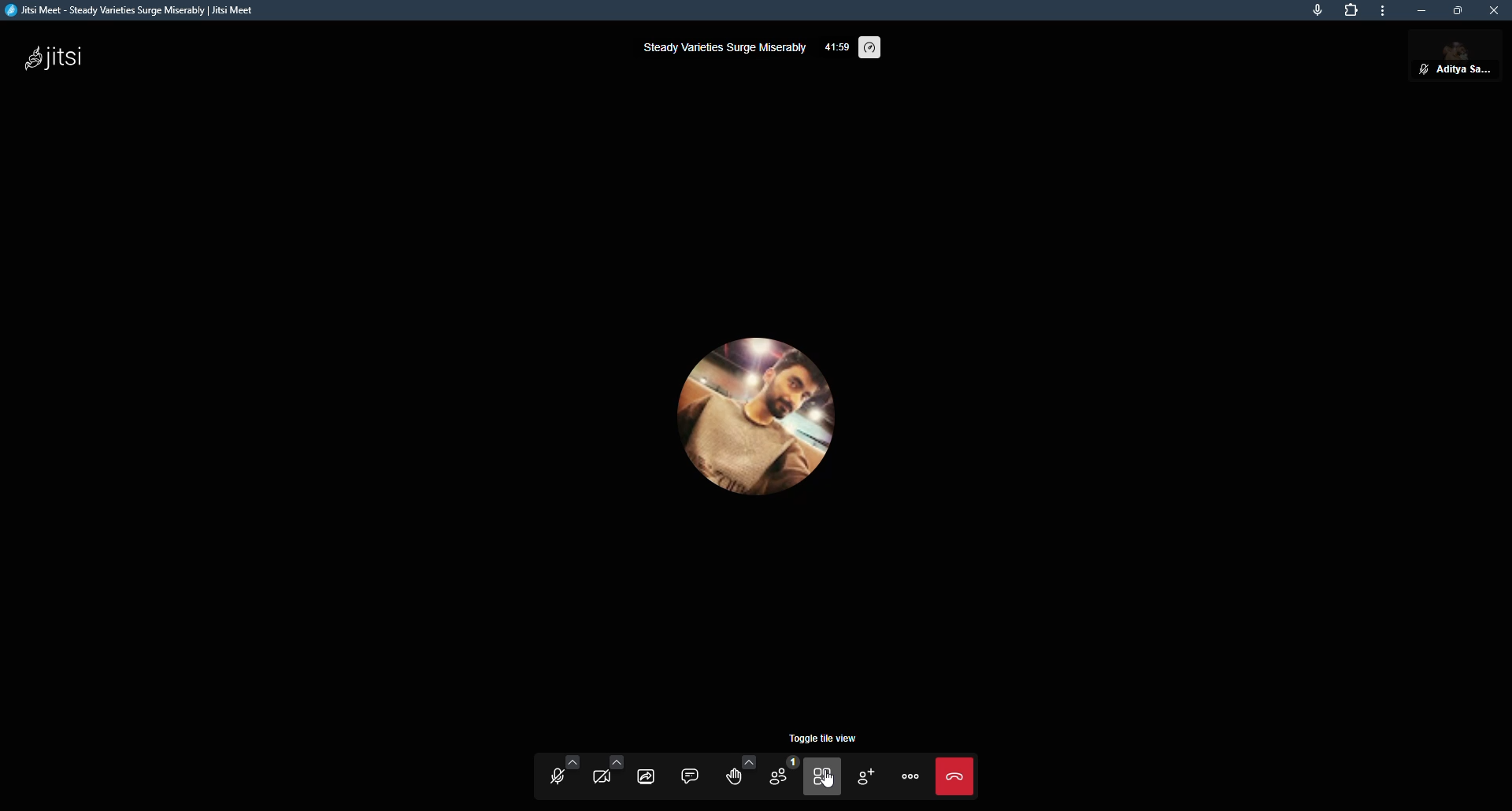  I want to click on cursor, so click(828, 780).